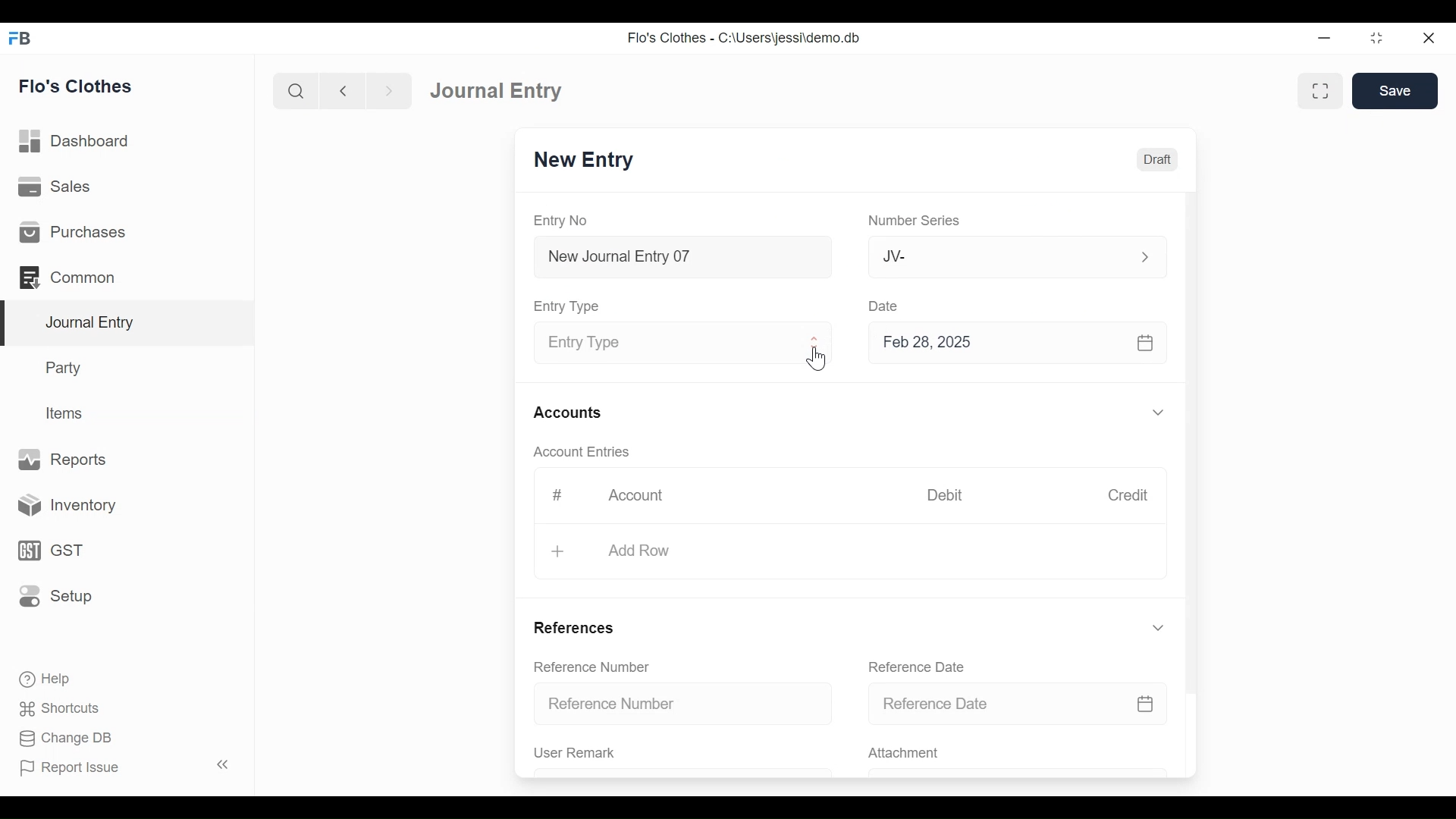 Image resolution: width=1456 pixels, height=819 pixels. What do you see at coordinates (1129, 496) in the screenshot?
I see `Credit` at bounding box center [1129, 496].